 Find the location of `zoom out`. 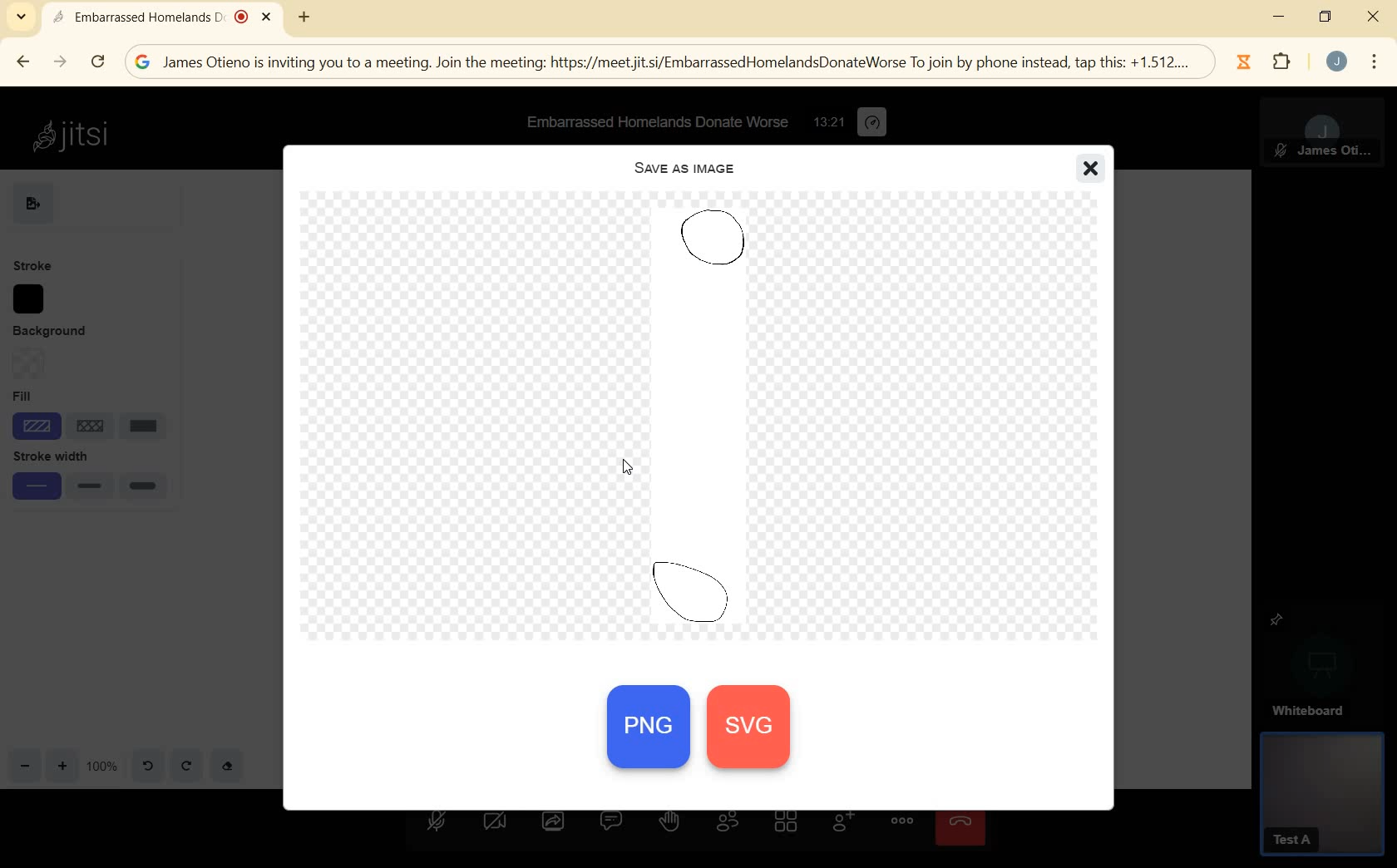

zoom out is located at coordinates (27, 767).